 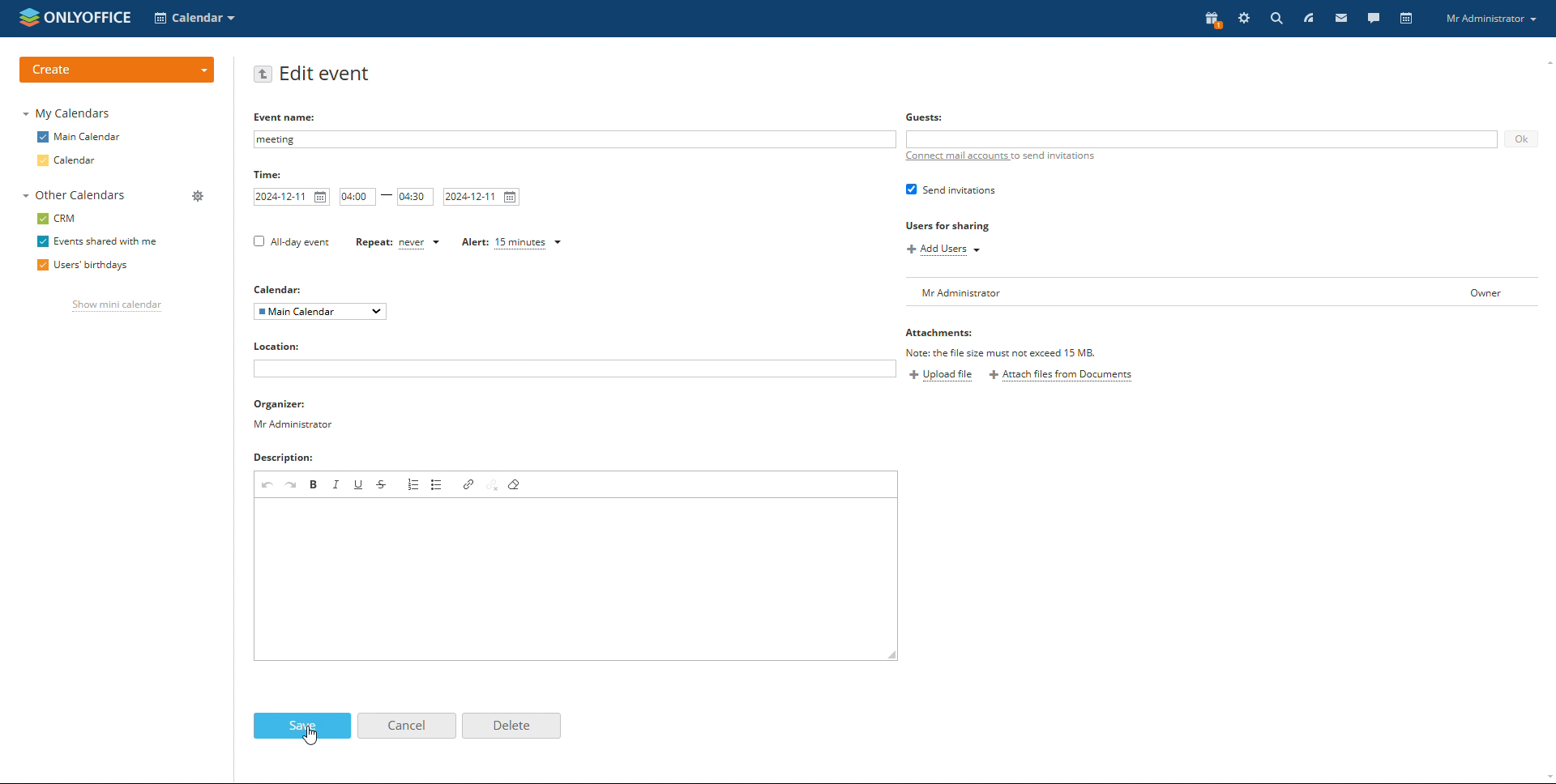 What do you see at coordinates (284, 346) in the screenshot?
I see `location` at bounding box center [284, 346].